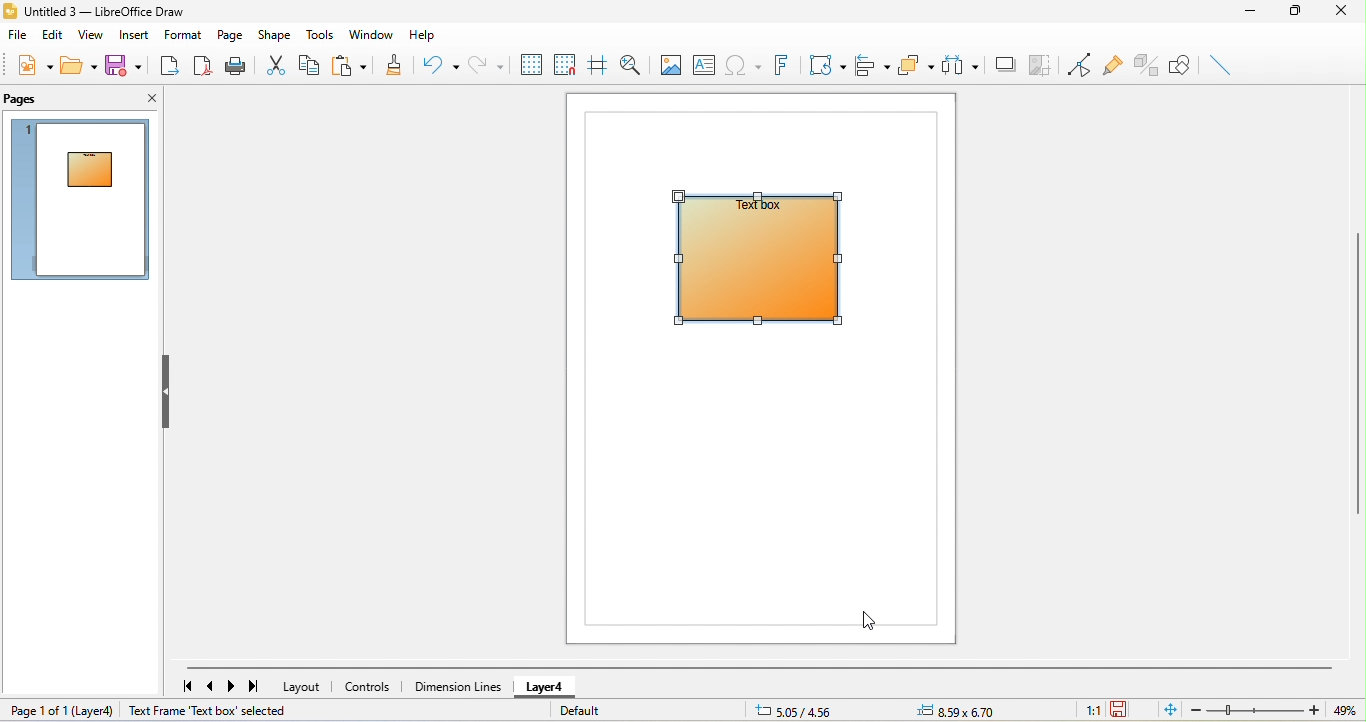 Image resolution: width=1366 pixels, height=722 pixels. I want to click on layout, so click(304, 686).